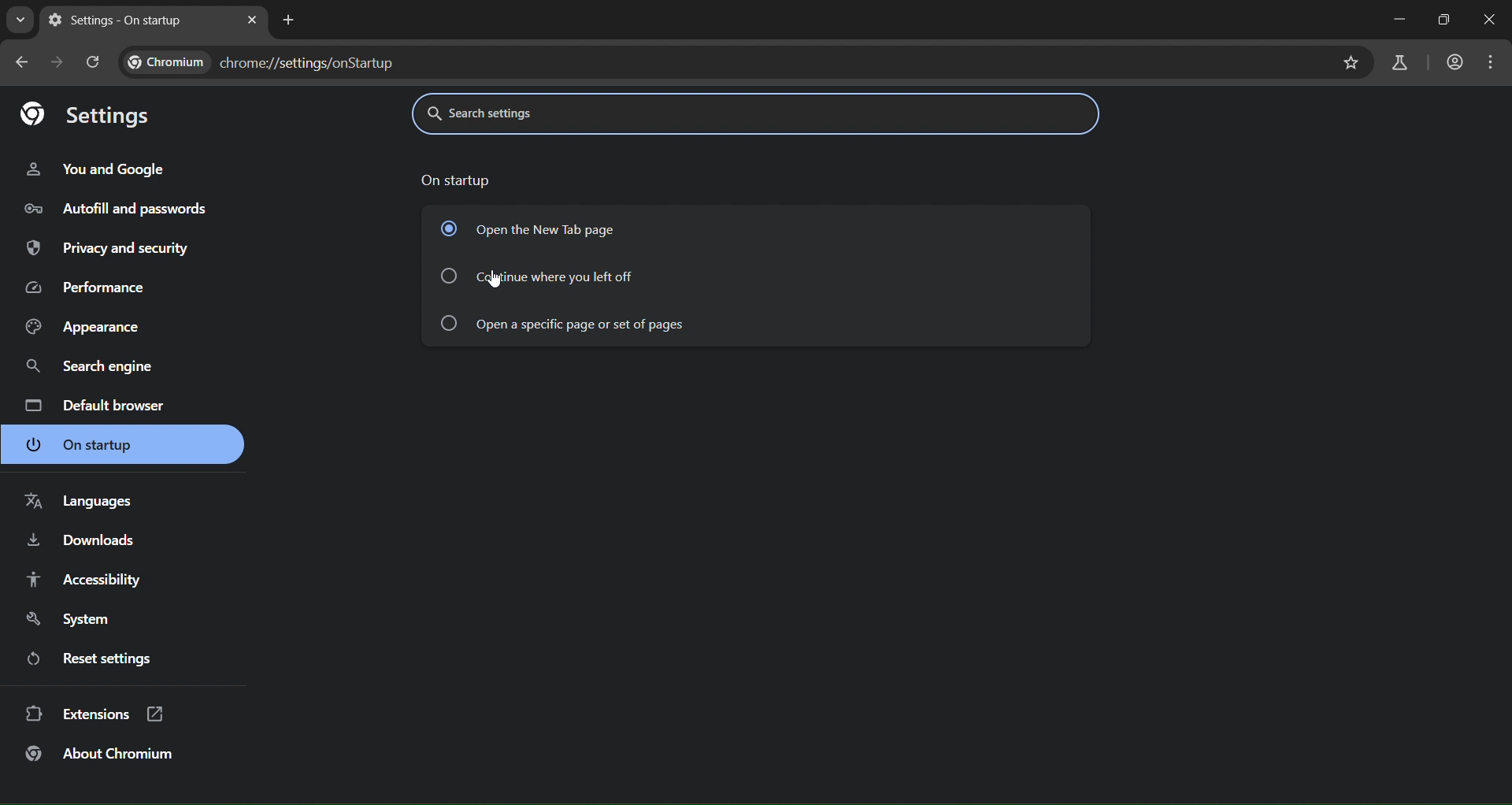  What do you see at coordinates (1399, 65) in the screenshot?
I see `search labs` at bounding box center [1399, 65].